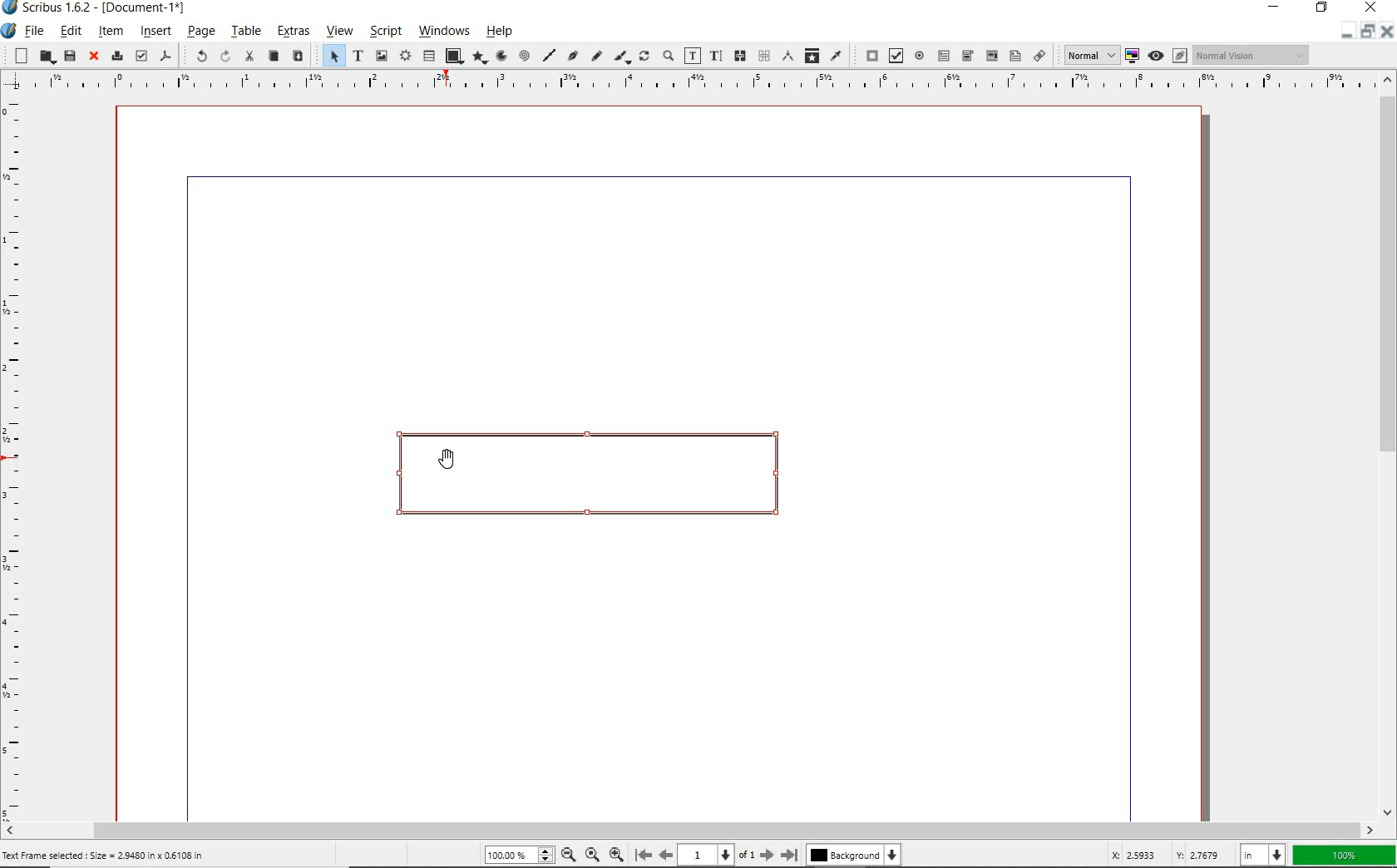 Image resolution: width=1397 pixels, height=868 pixels. I want to click on line, so click(548, 55).